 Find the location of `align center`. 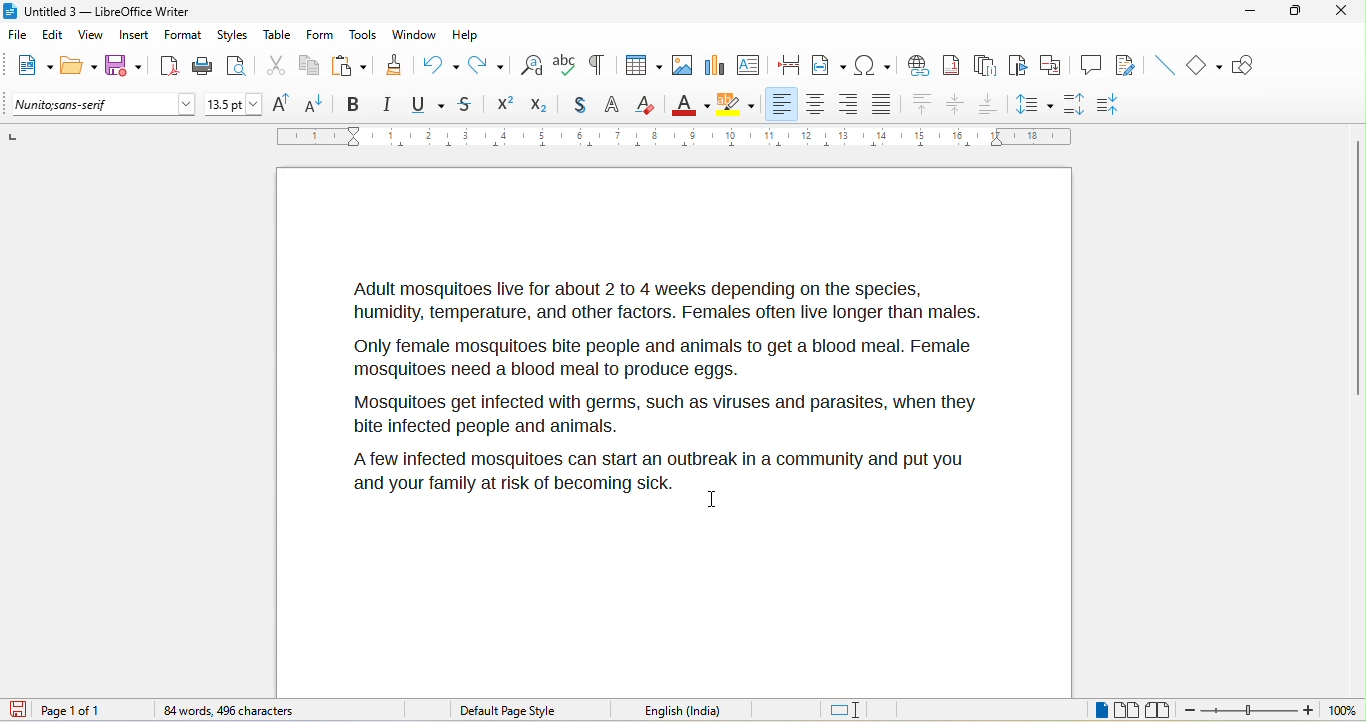

align center is located at coordinates (816, 105).